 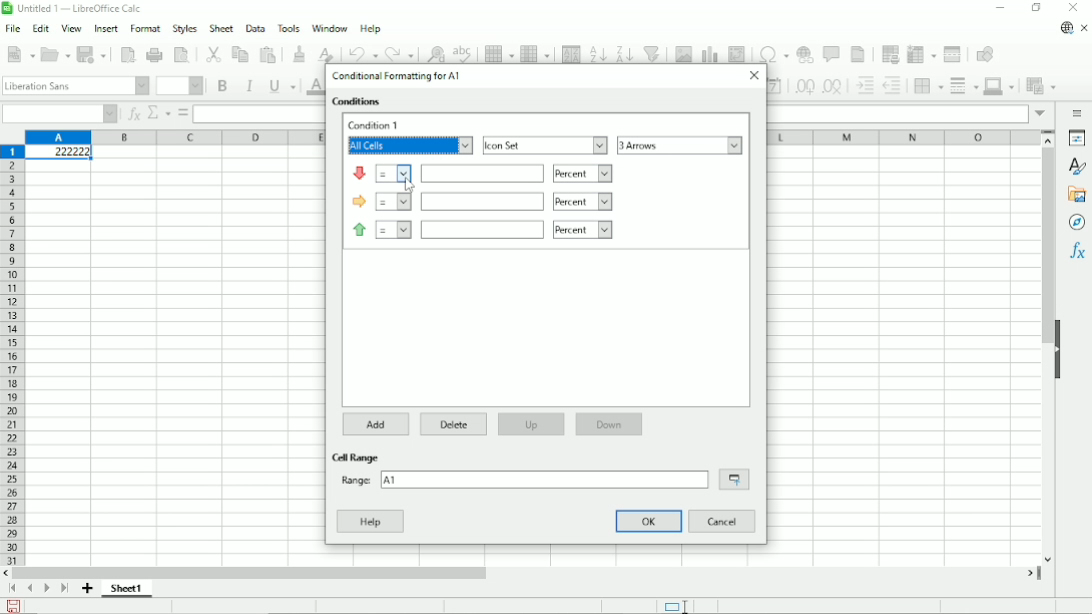 I want to click on Headers and footers, so click(x=859, y=54).